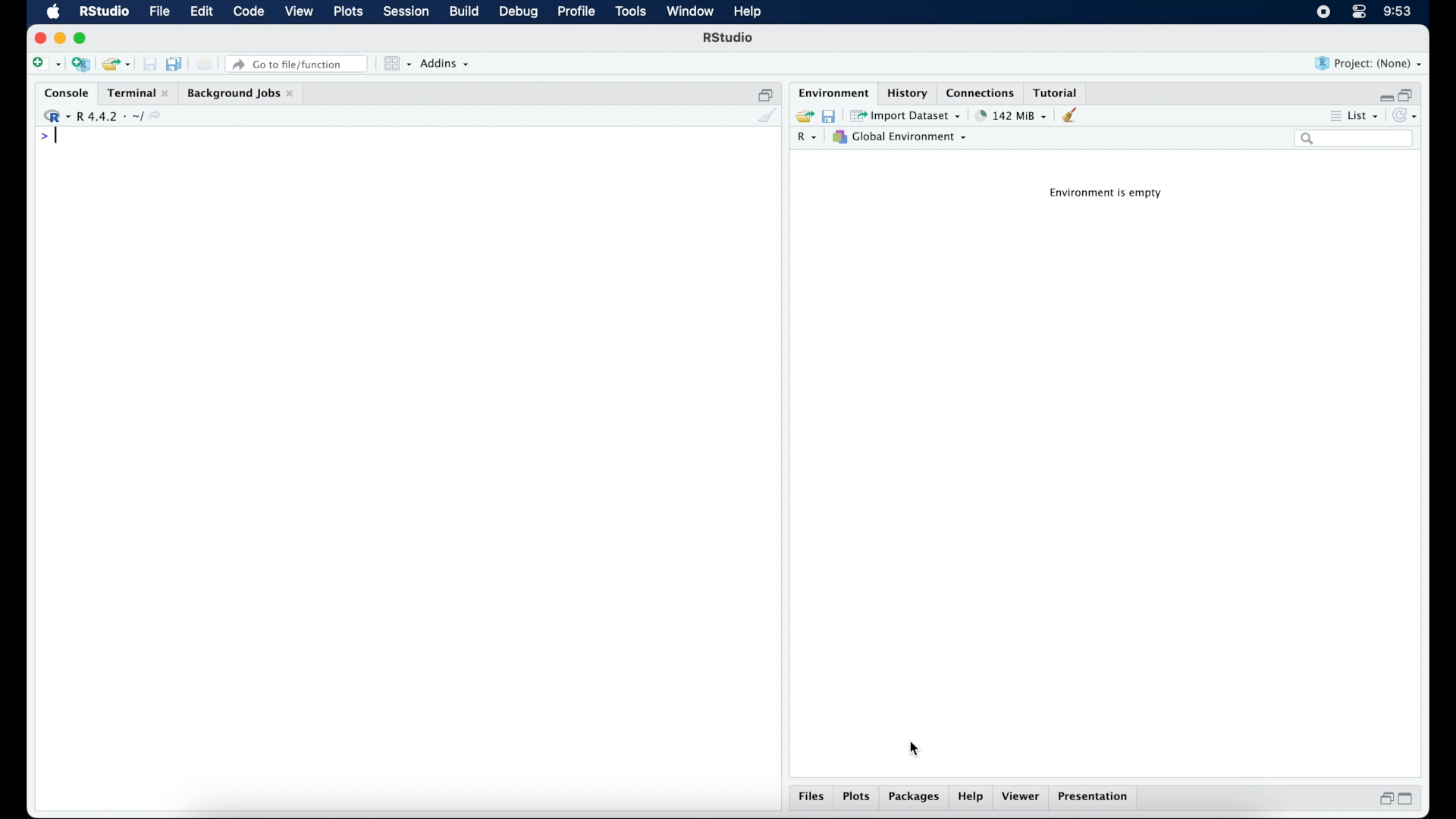 The width and height of the screenshot is (1456, 819). What do you see at coordinates (243, 93) in the screenshot?
I see `background jobs` at bounding box center [243, 93].